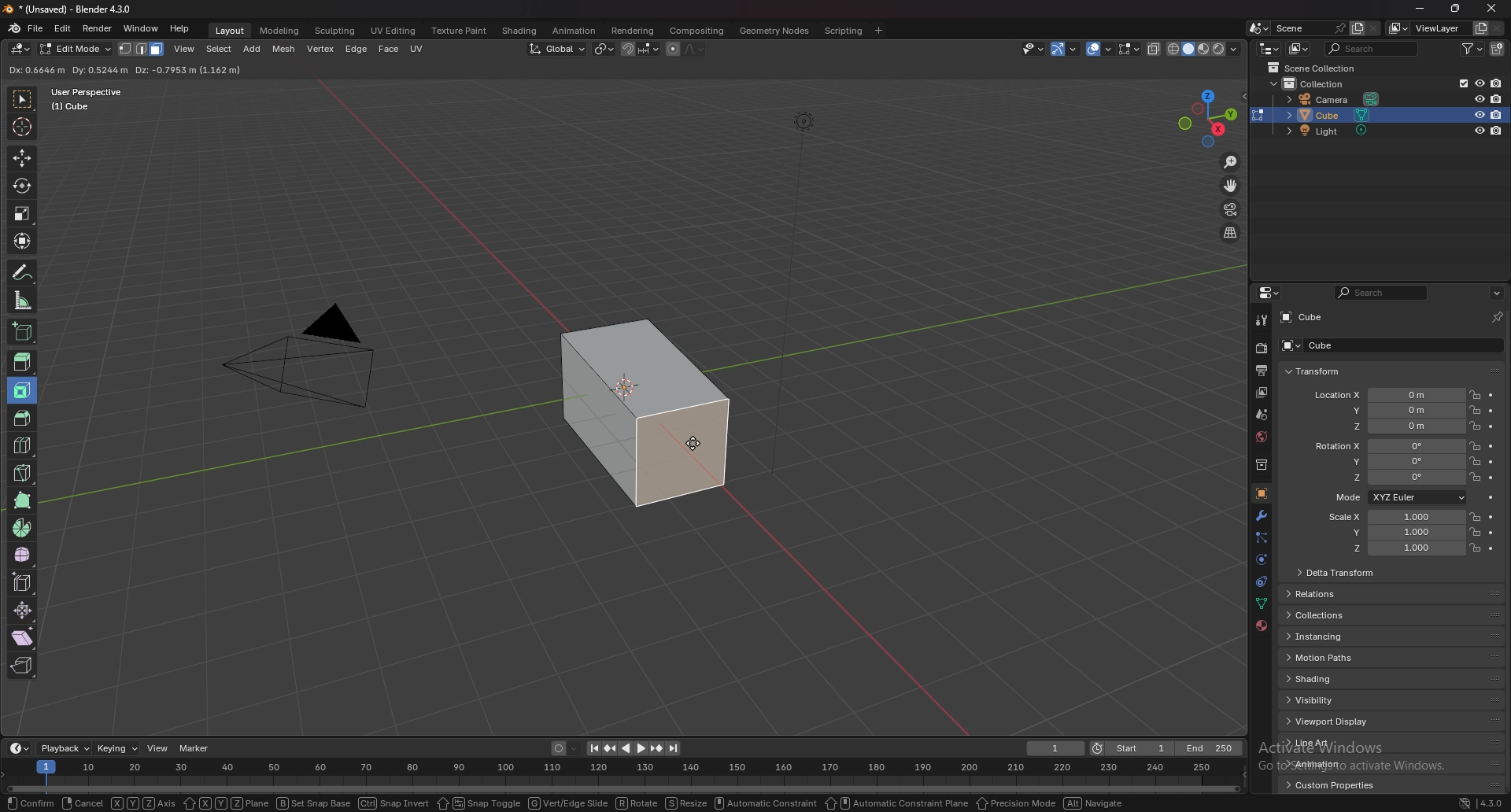  I want to click on search, so click(1372, 48).